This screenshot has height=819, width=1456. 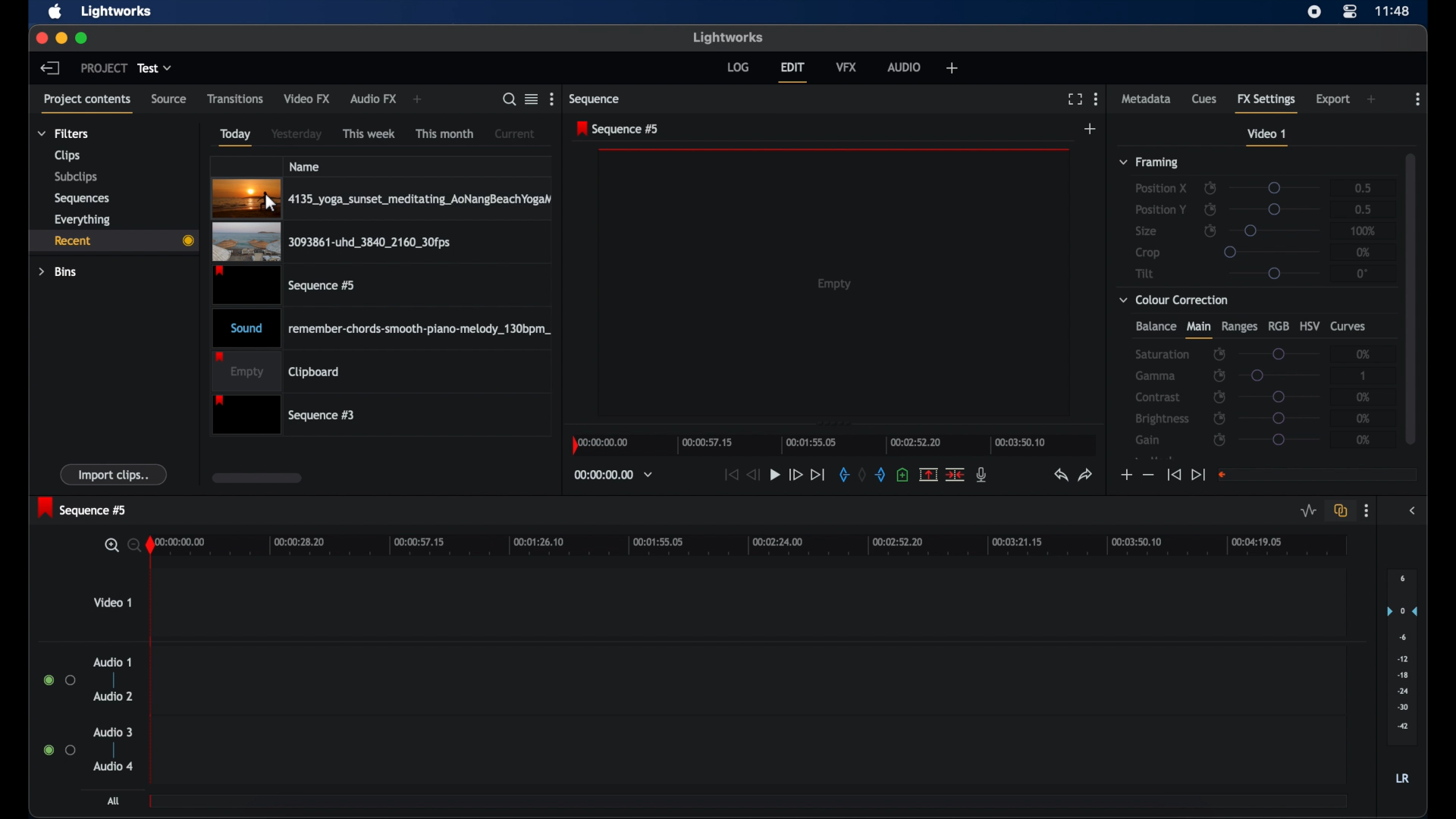 What do you see at coordinates (89, 102) in the screenshot?
I see `project contents` at bounding box center [89, 102].